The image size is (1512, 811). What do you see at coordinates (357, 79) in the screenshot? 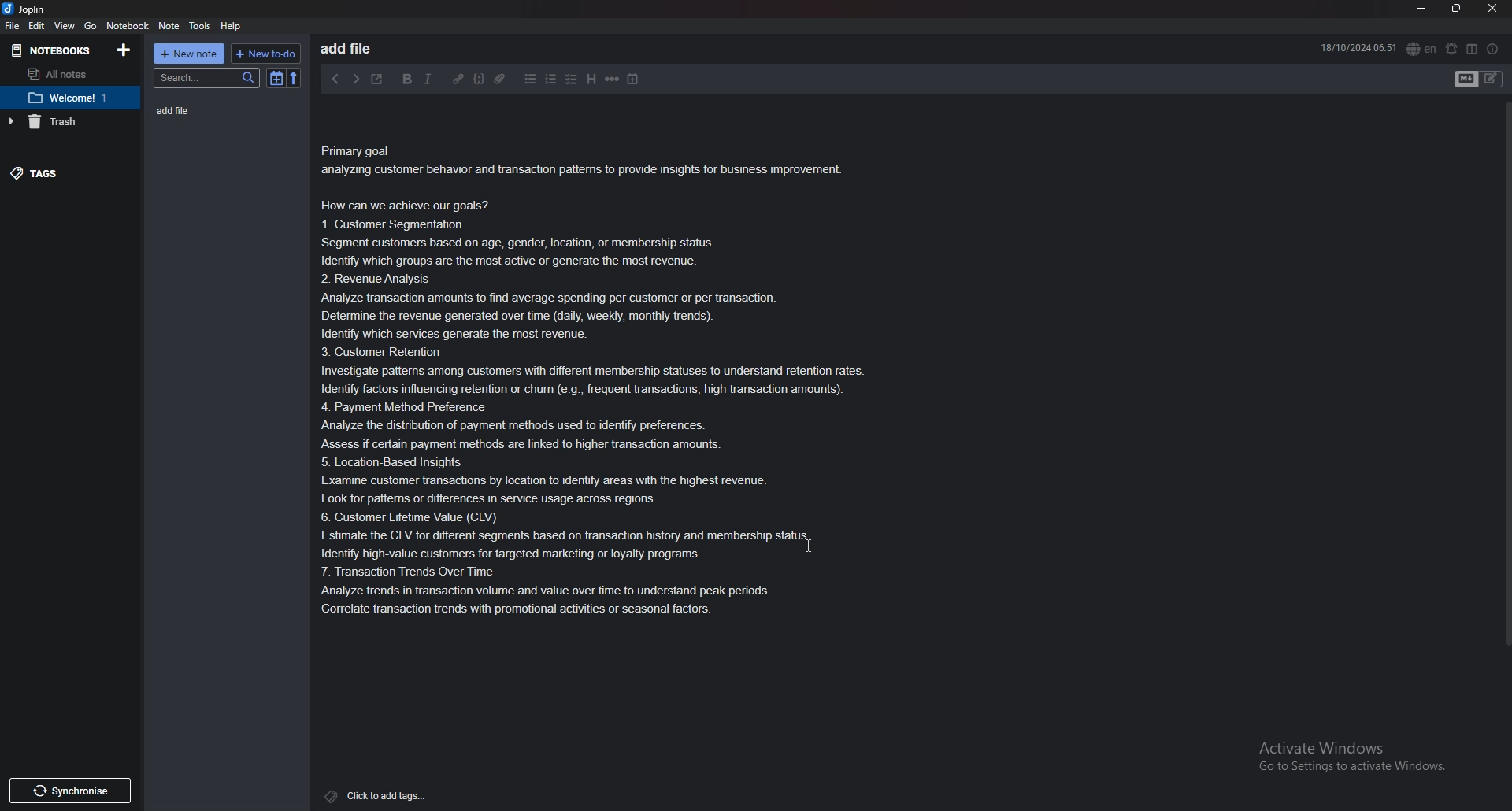
I see `next` at bounding box center [357, 79].